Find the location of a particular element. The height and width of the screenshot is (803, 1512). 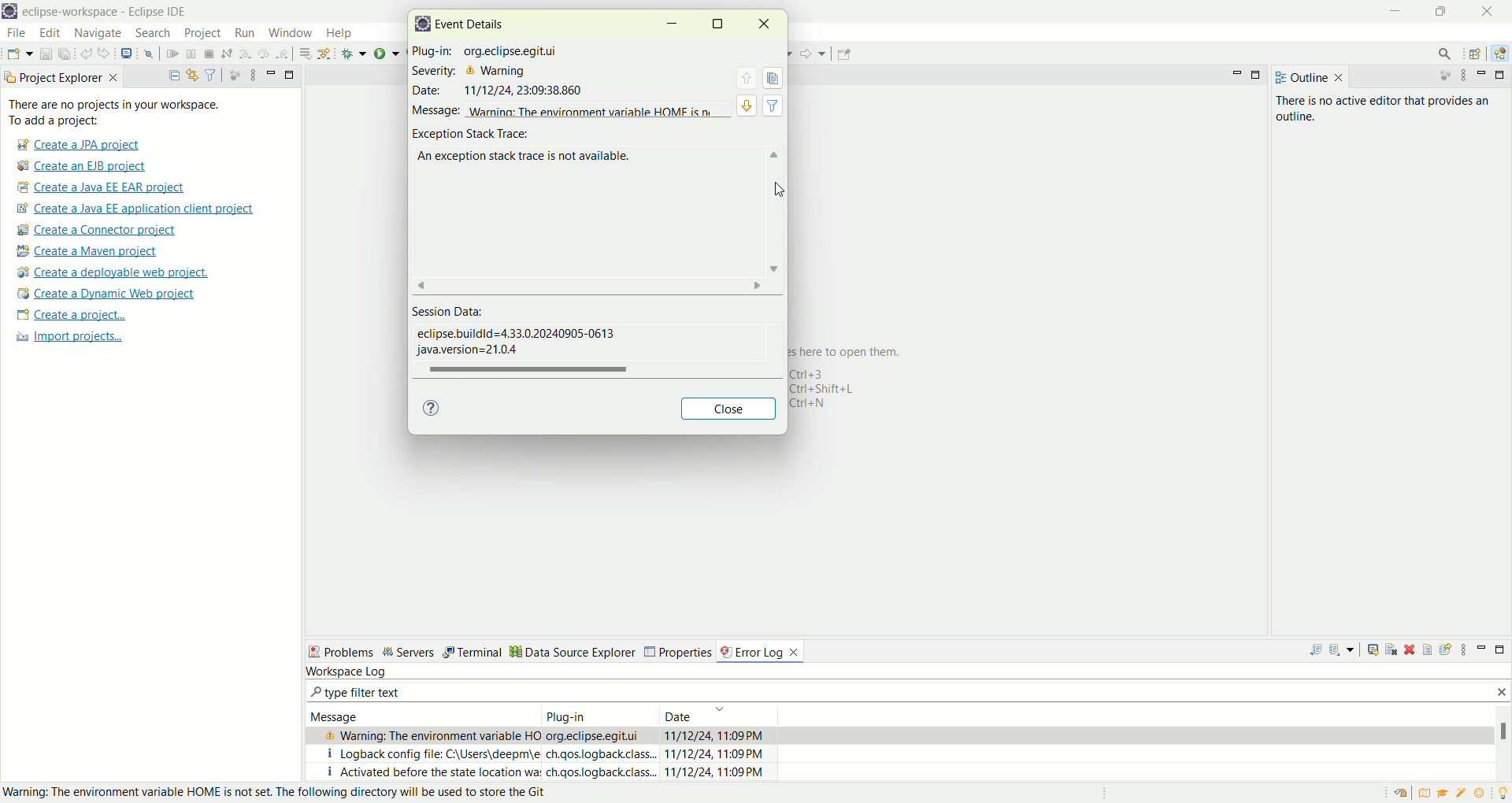

pin editor is located at coordinates (846, 55).